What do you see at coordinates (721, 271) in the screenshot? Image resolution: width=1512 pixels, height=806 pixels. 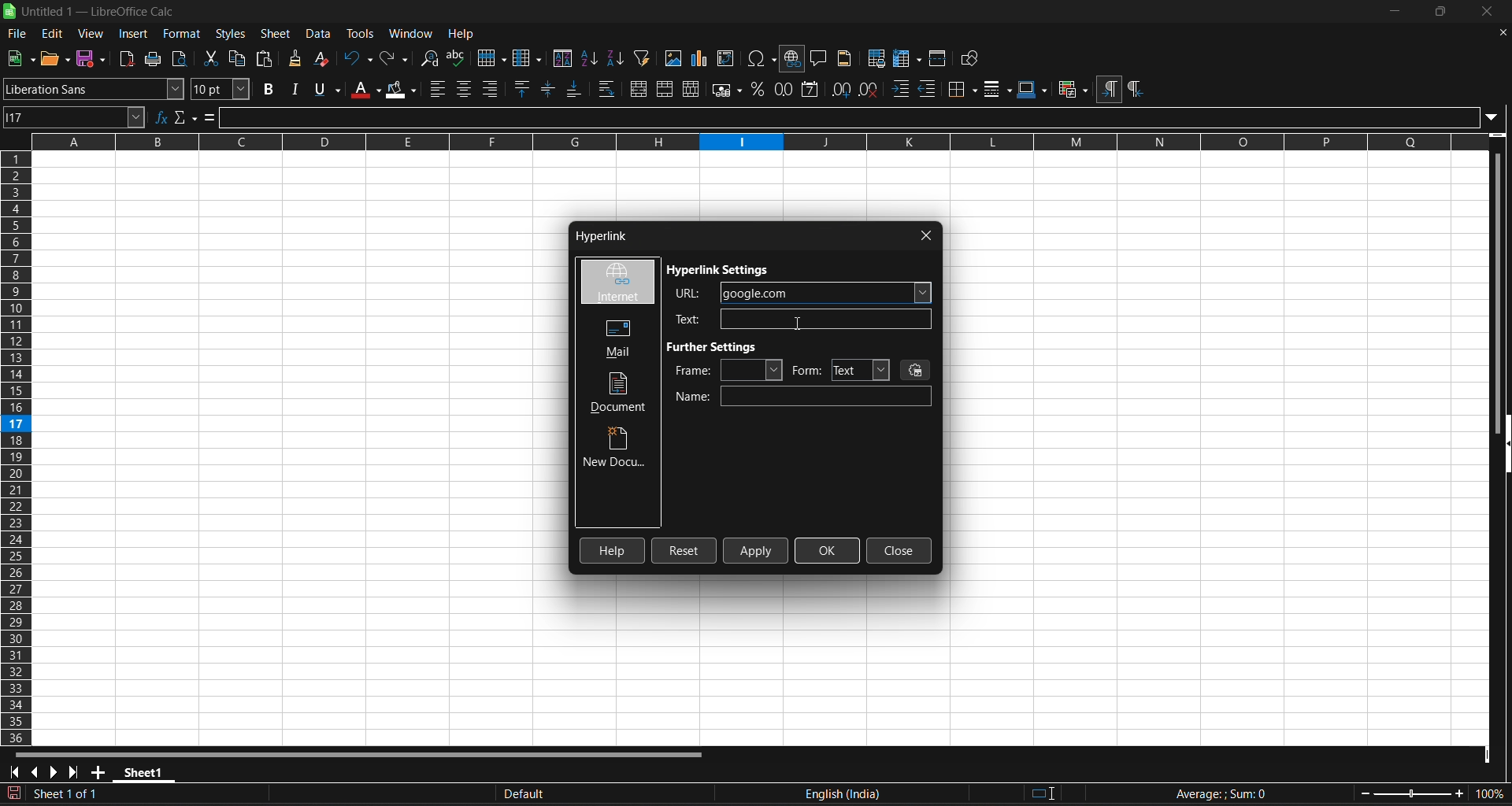 I see `hyperlink settings` at bounding box center [721, 271].